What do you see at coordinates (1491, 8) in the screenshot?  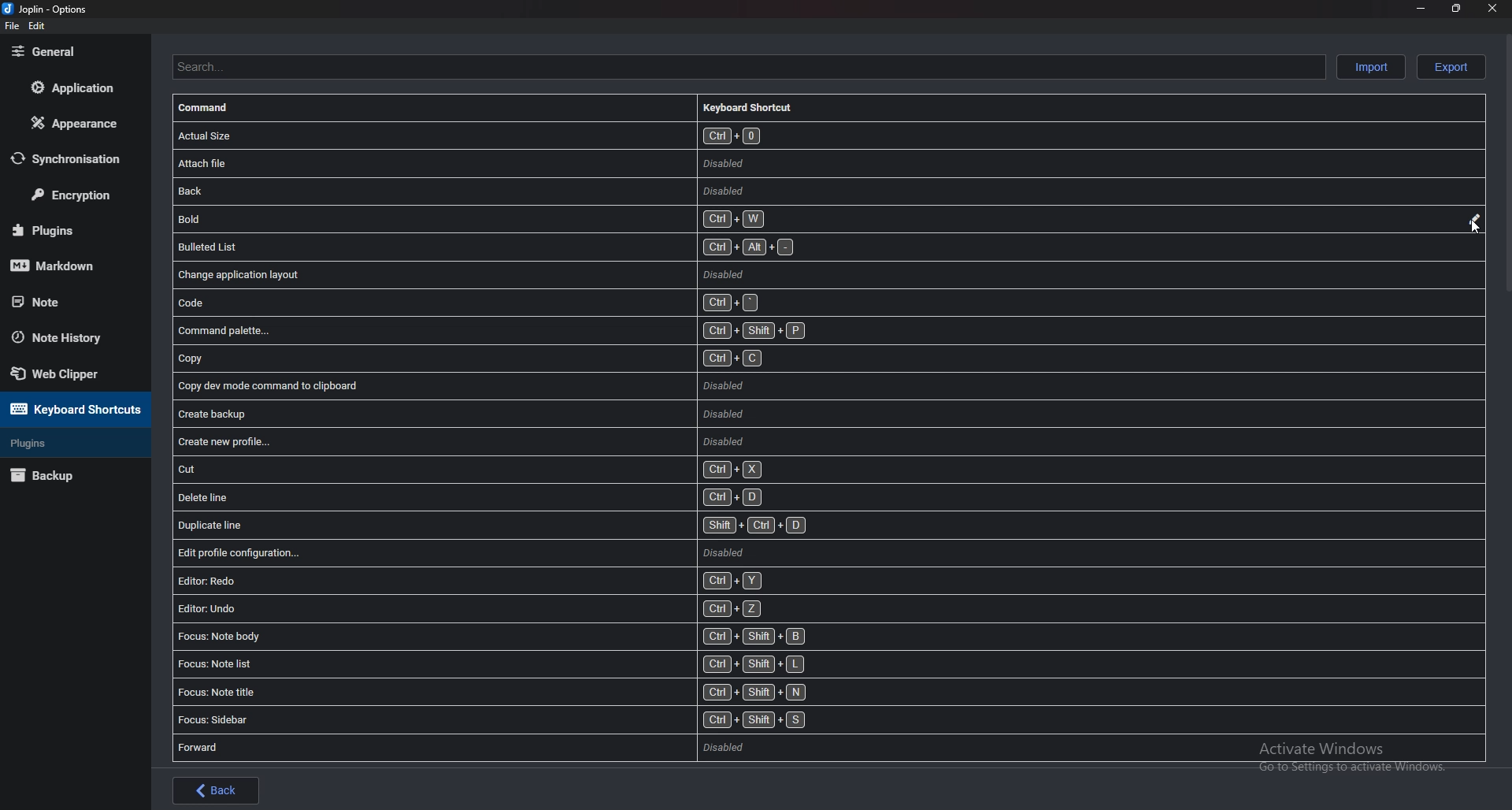 I see `close` at bounding box center [1491, 8].